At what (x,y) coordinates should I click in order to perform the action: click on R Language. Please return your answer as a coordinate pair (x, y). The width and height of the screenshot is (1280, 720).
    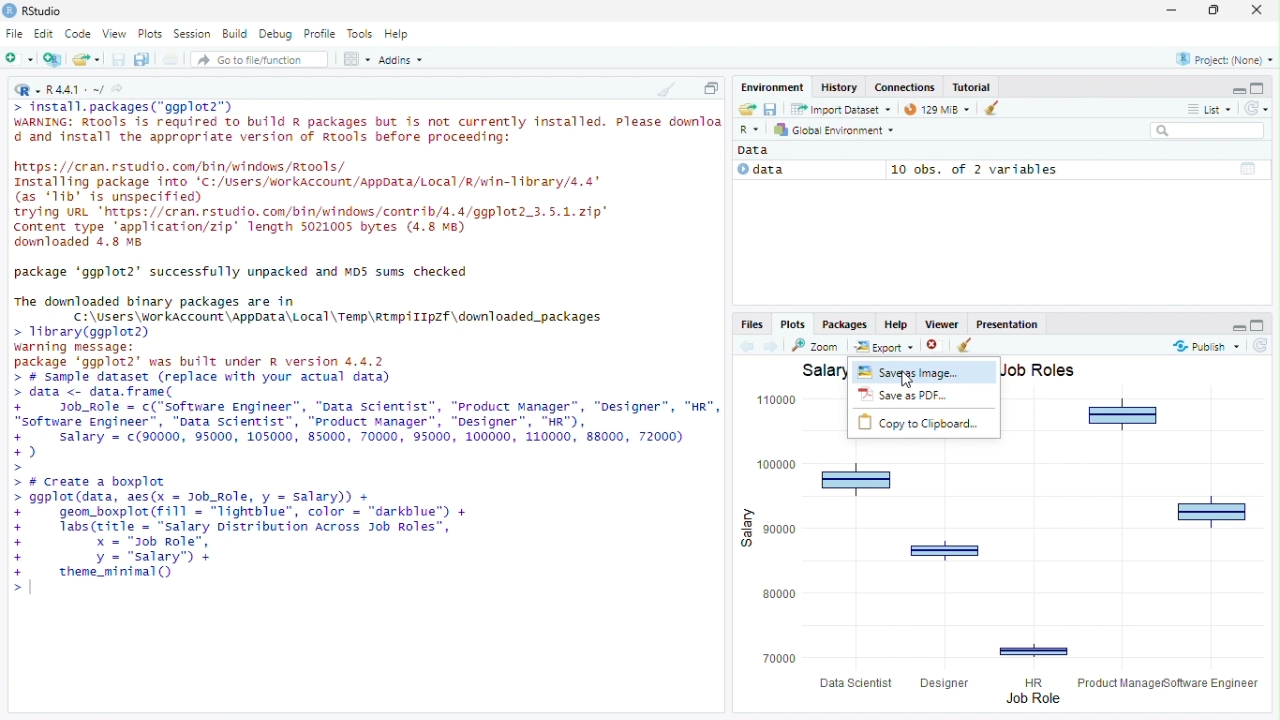
    Looking at the image, I should click on (27, 91).